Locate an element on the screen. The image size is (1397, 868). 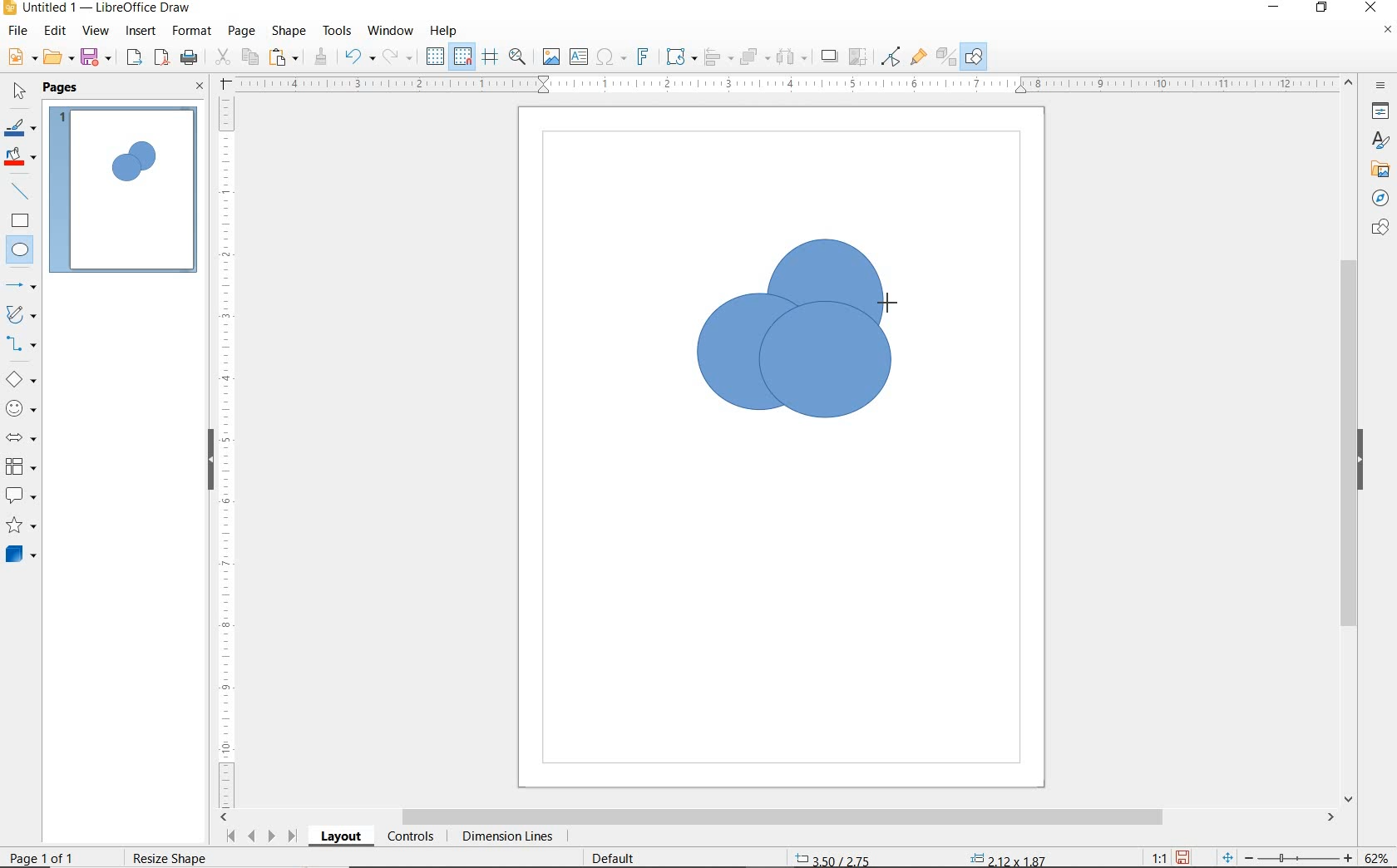
SHADOW is located at coordinates (830, 58).